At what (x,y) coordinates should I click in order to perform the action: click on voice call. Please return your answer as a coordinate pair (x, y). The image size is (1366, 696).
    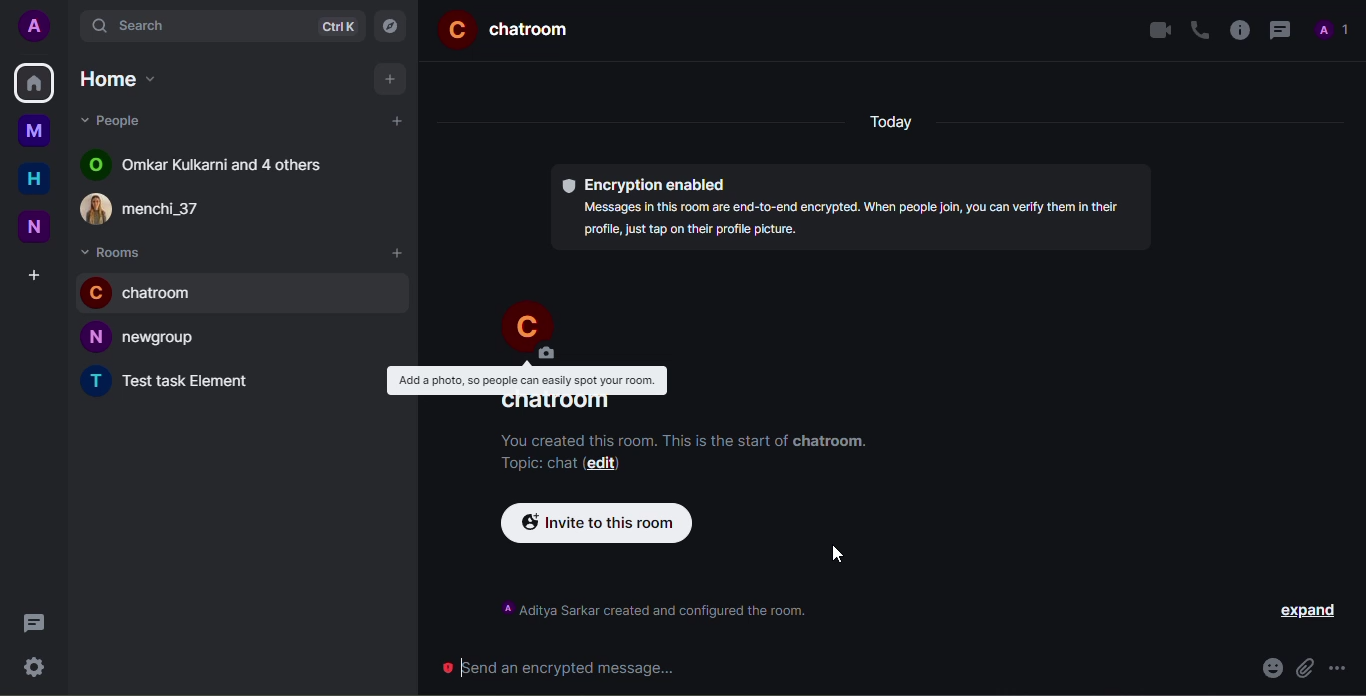
    Looking at the image, I should click on (1199, 30).